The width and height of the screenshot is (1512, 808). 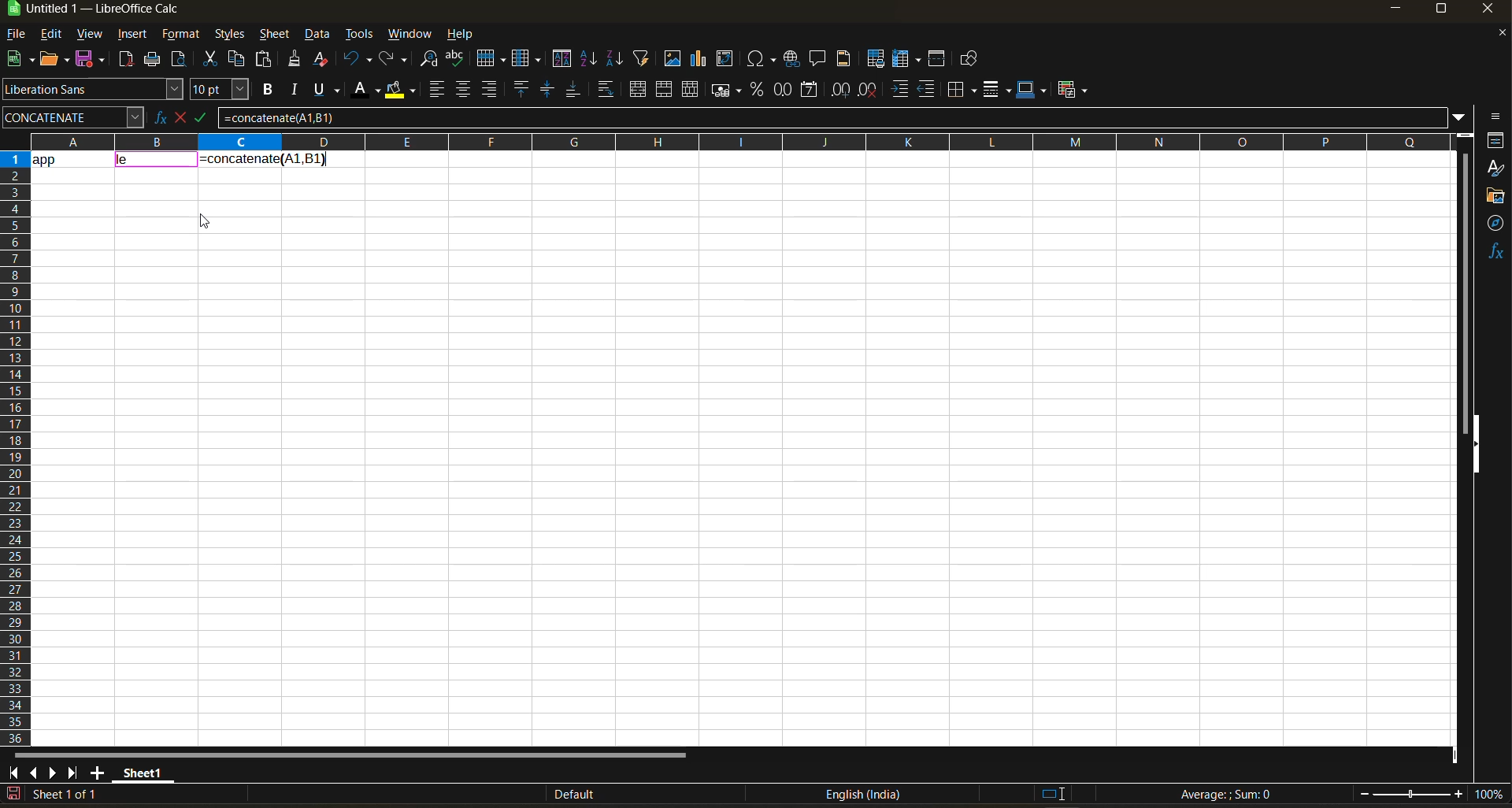 What do you see at coordinates (18, 60) in the screenshot?
I see `new` at bounding box center [18, 60].